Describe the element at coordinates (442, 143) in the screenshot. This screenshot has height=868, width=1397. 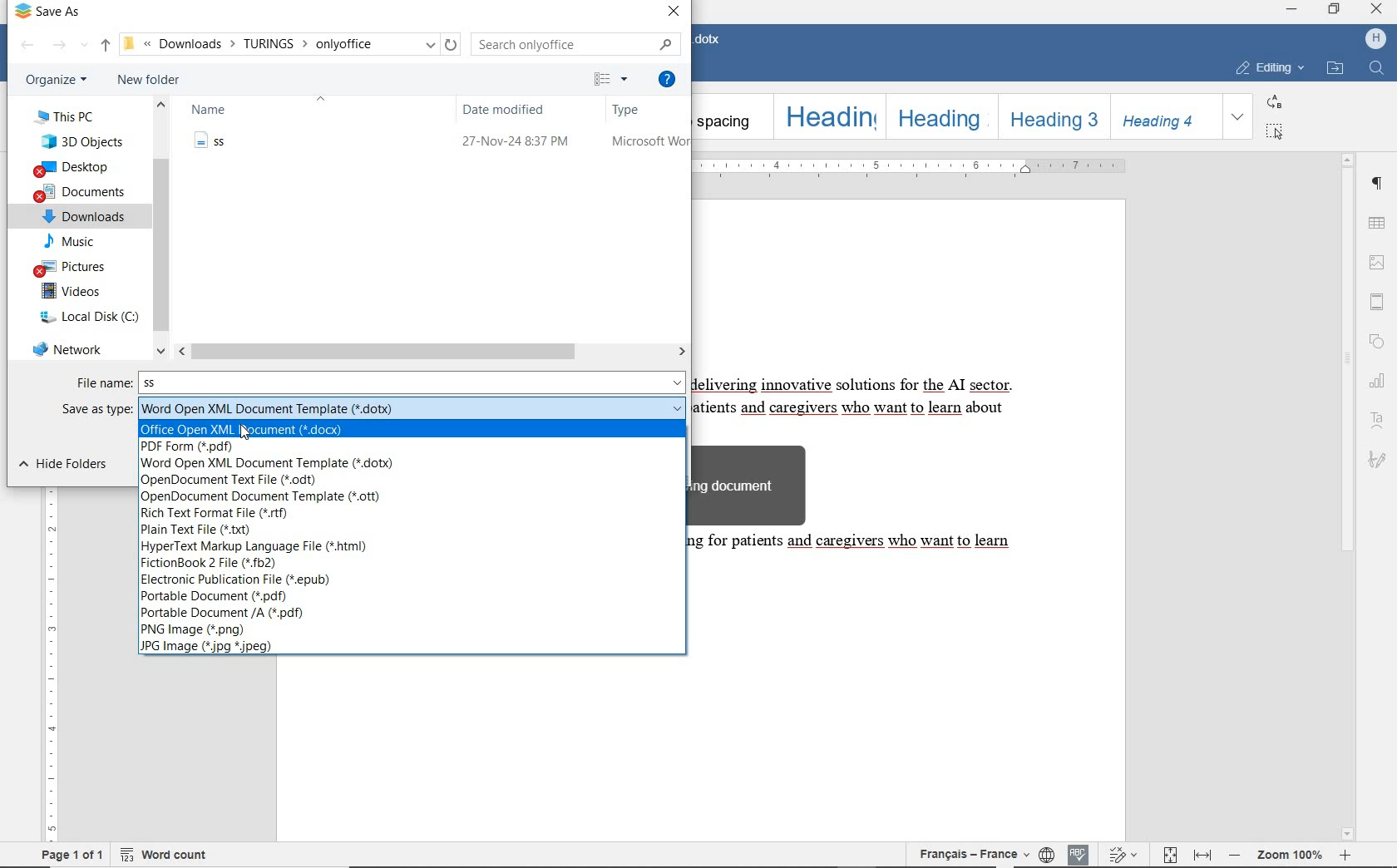
I see `file` at that location.